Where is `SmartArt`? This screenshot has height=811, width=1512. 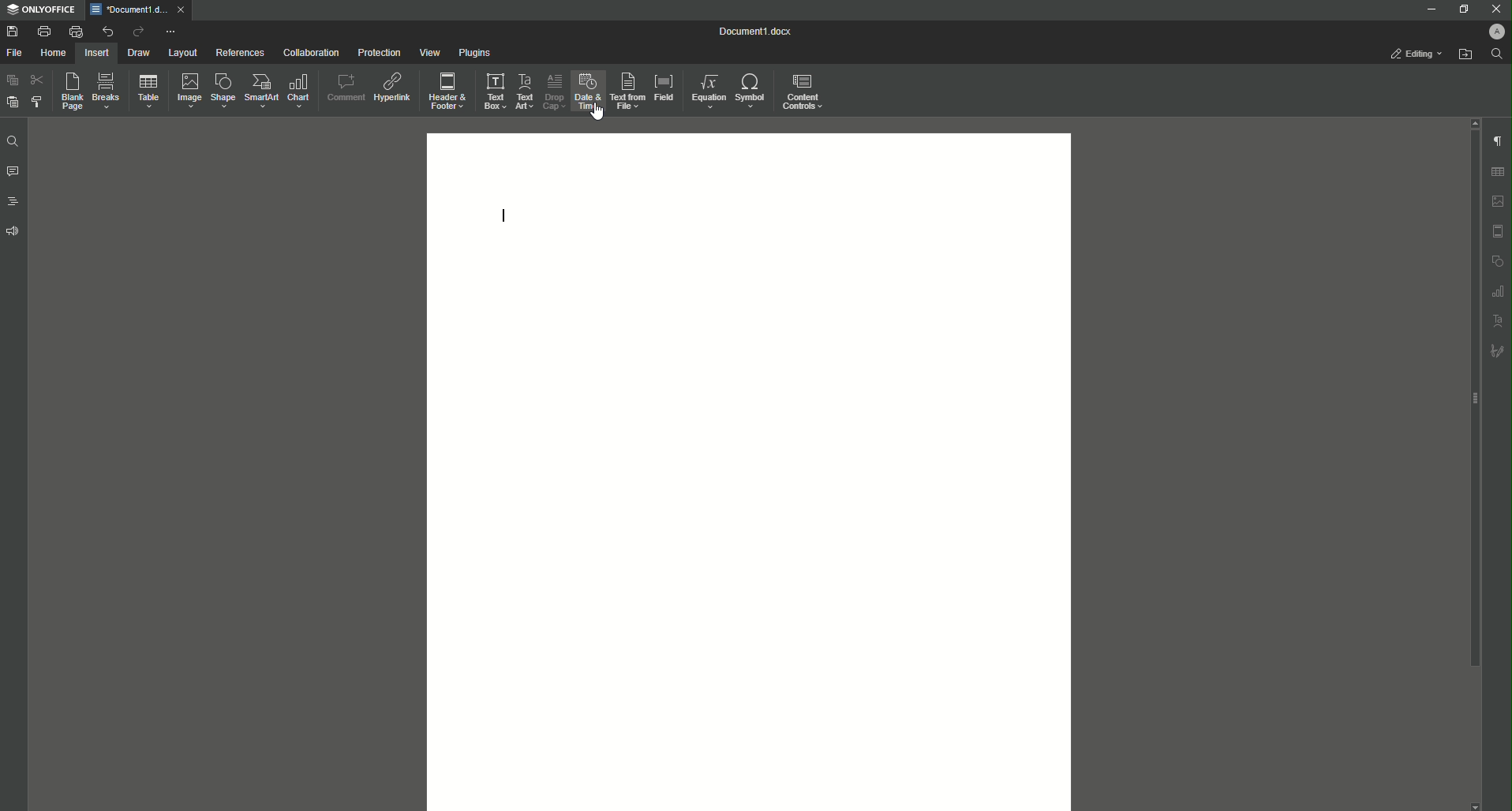 SmartArt is located at coordinates (259, 92).